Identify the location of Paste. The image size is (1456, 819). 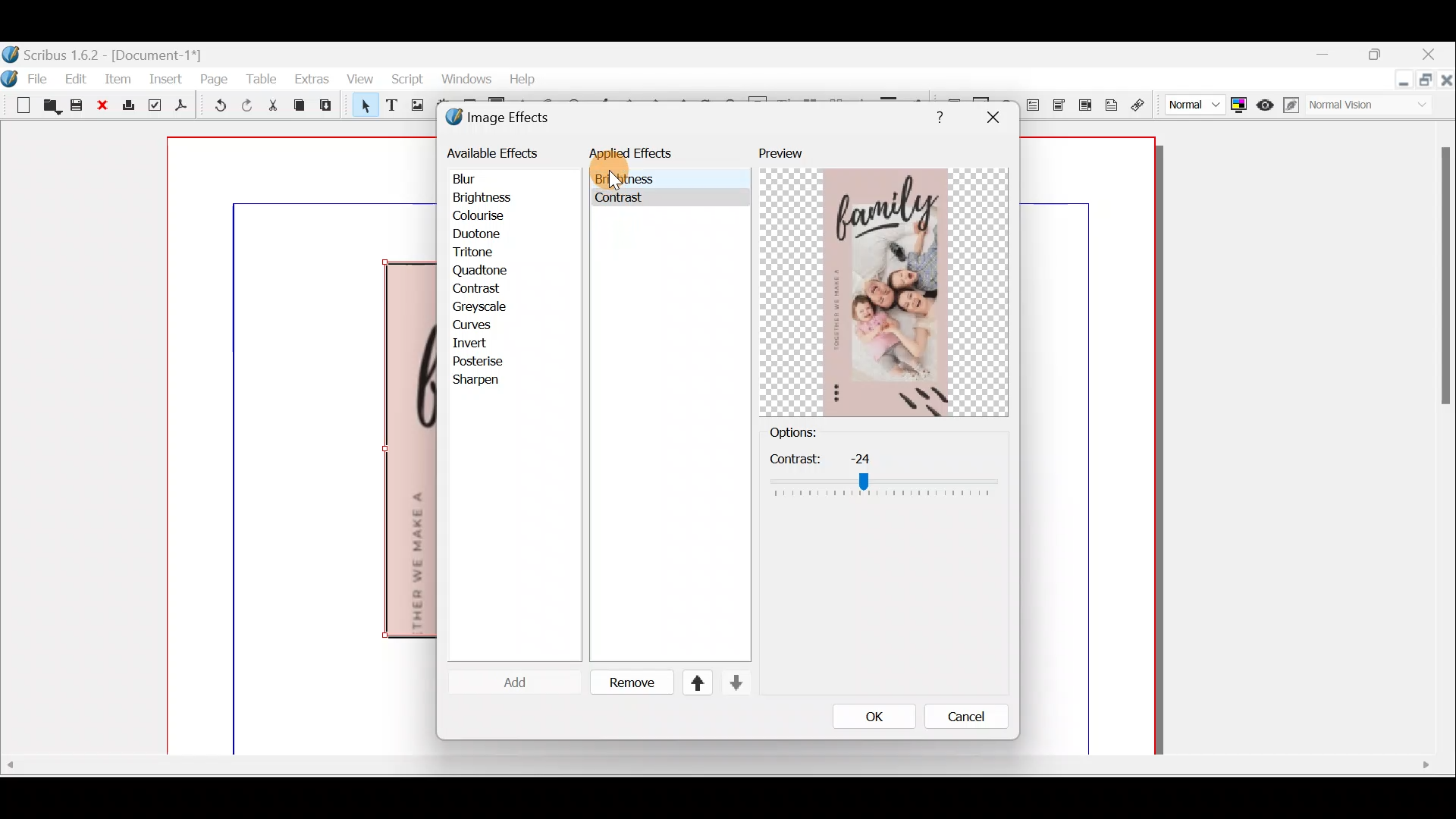
(329, 107).